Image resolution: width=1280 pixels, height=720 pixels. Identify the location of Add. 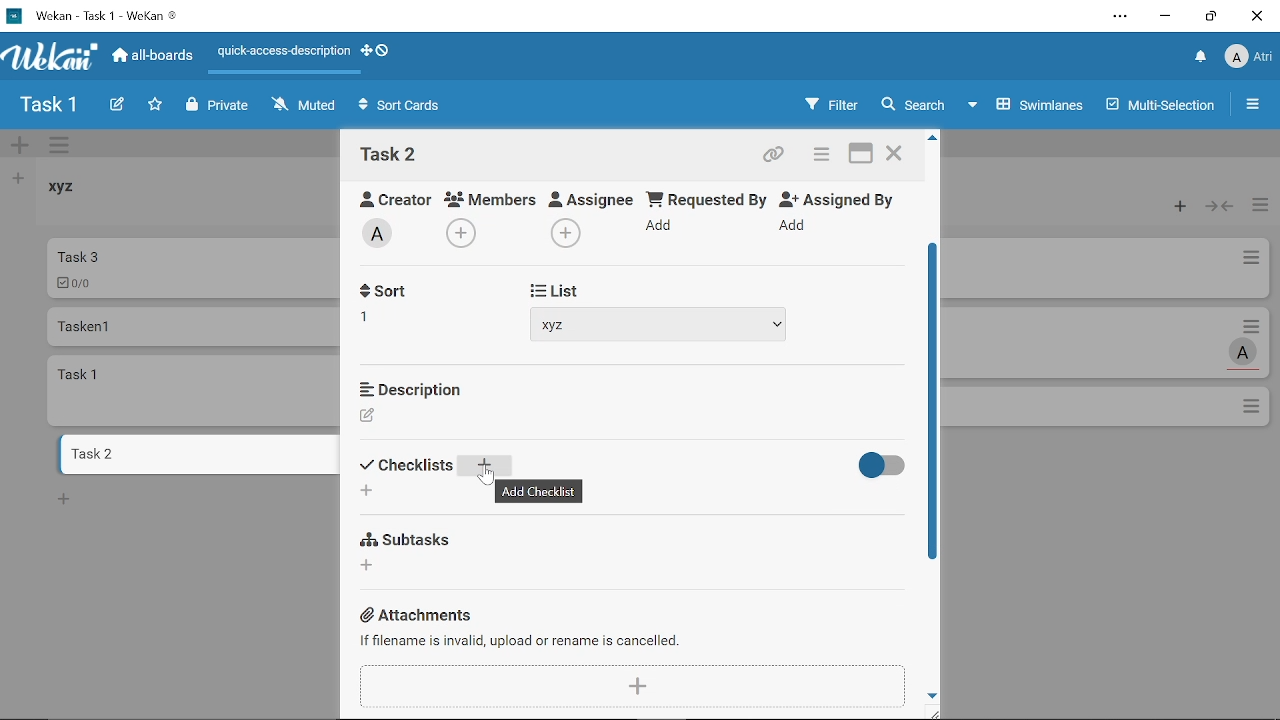
(366, 492).